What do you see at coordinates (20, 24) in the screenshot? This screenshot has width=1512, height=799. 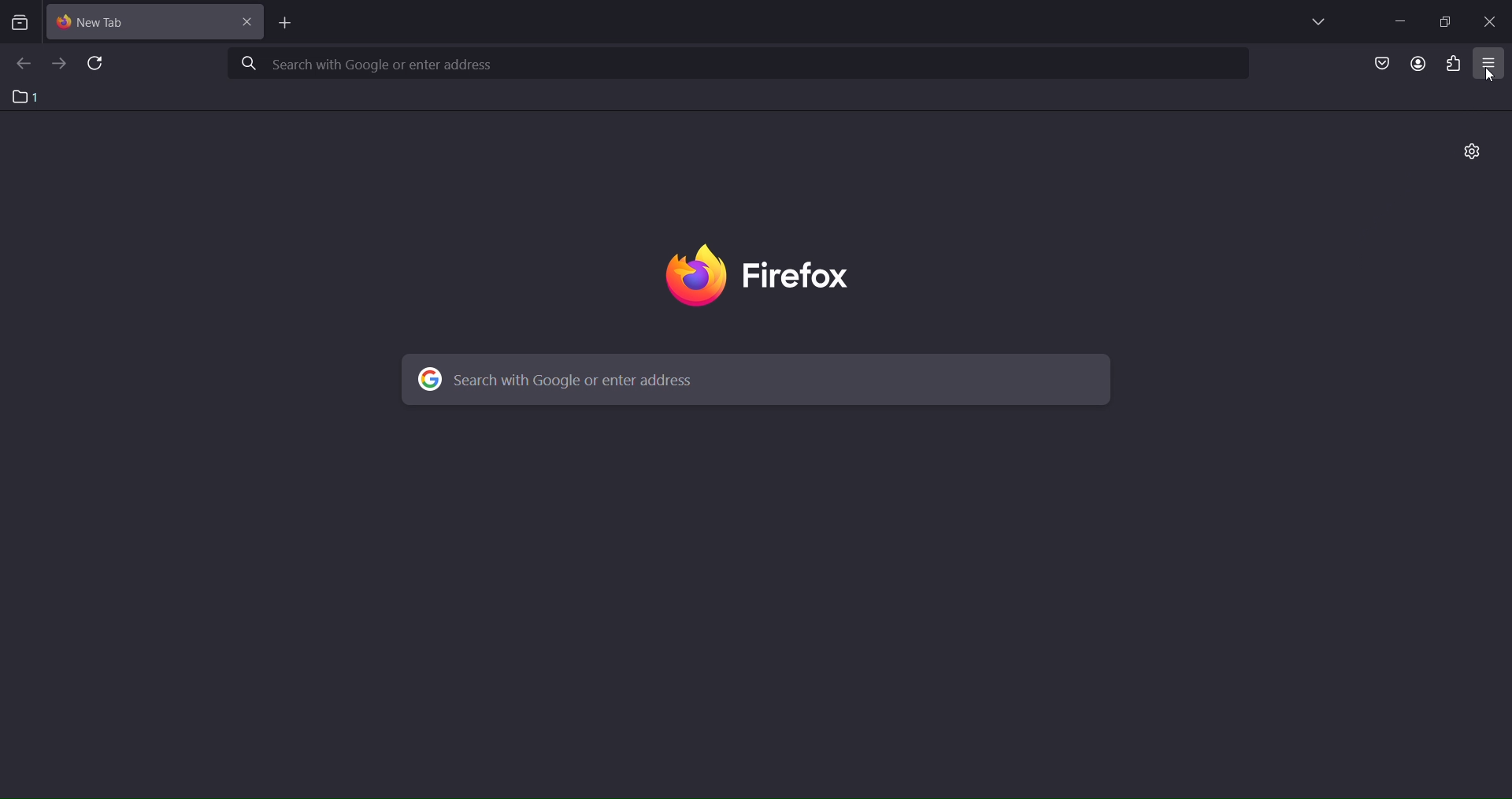 I see `search tabs` at bounding box center [20, 24].